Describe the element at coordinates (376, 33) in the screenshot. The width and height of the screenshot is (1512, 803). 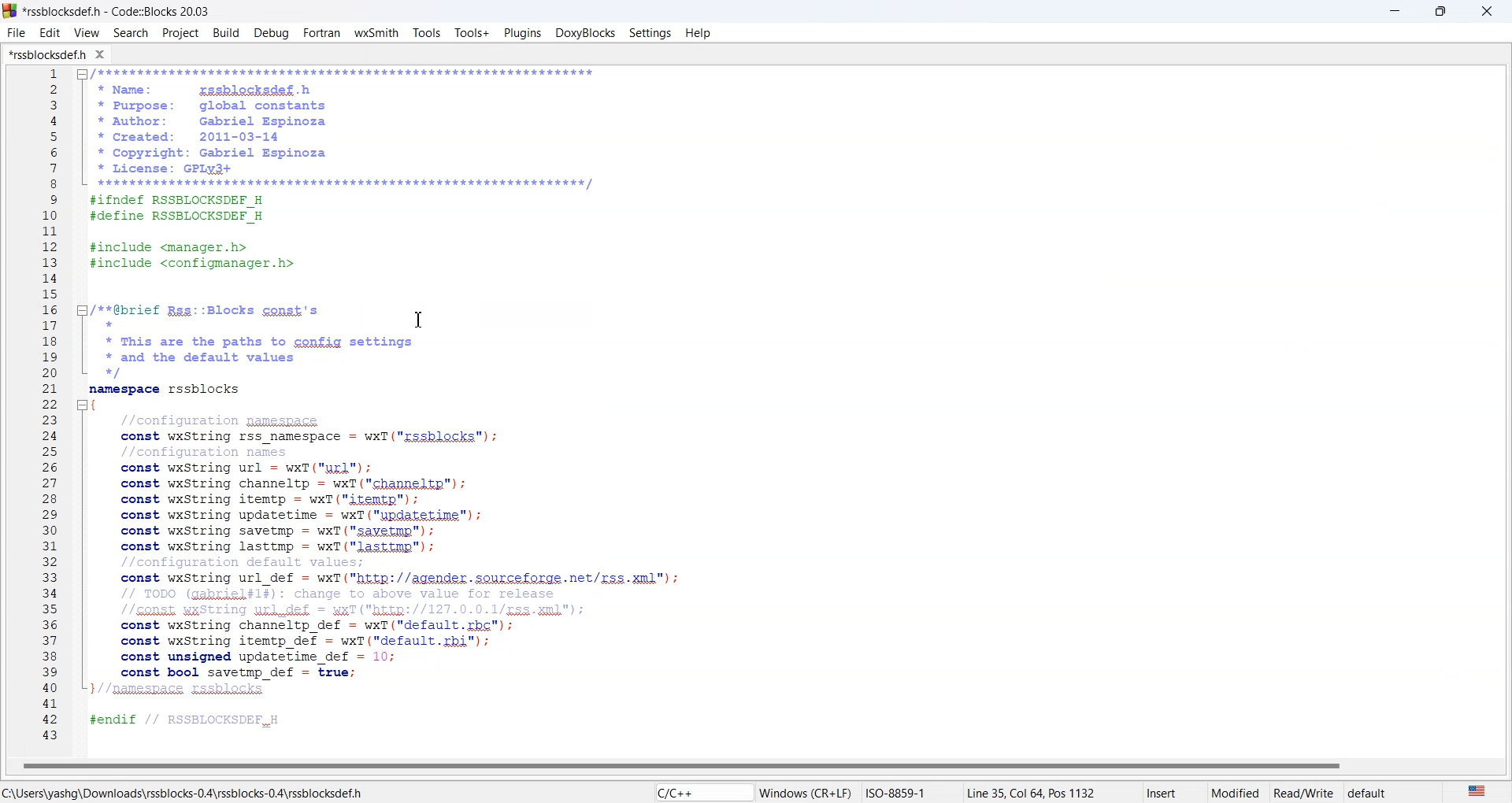
I see `W X Smith` at that location.